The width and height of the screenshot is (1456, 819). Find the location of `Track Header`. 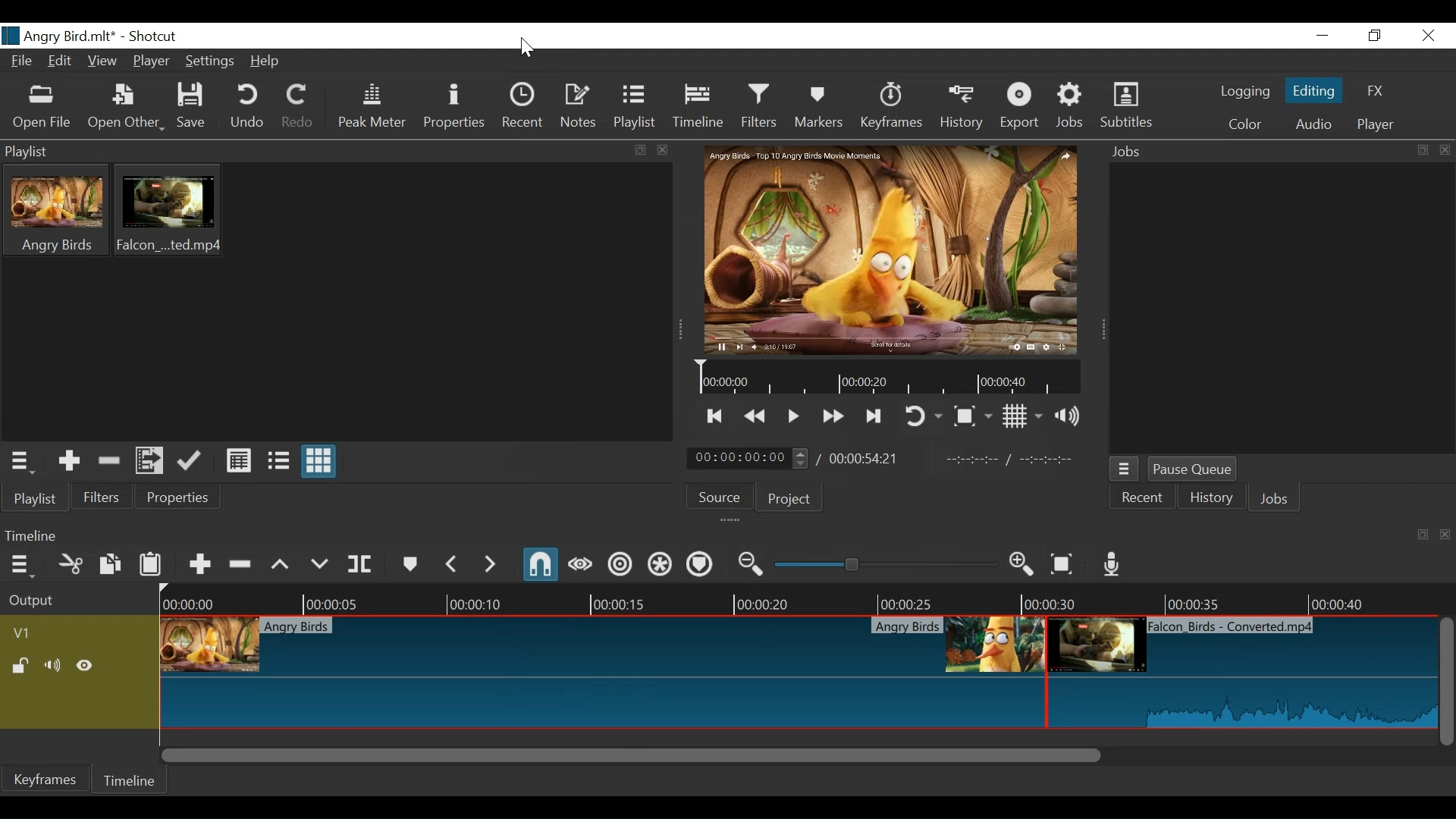

Track Header is located at coordinates (27, 633).